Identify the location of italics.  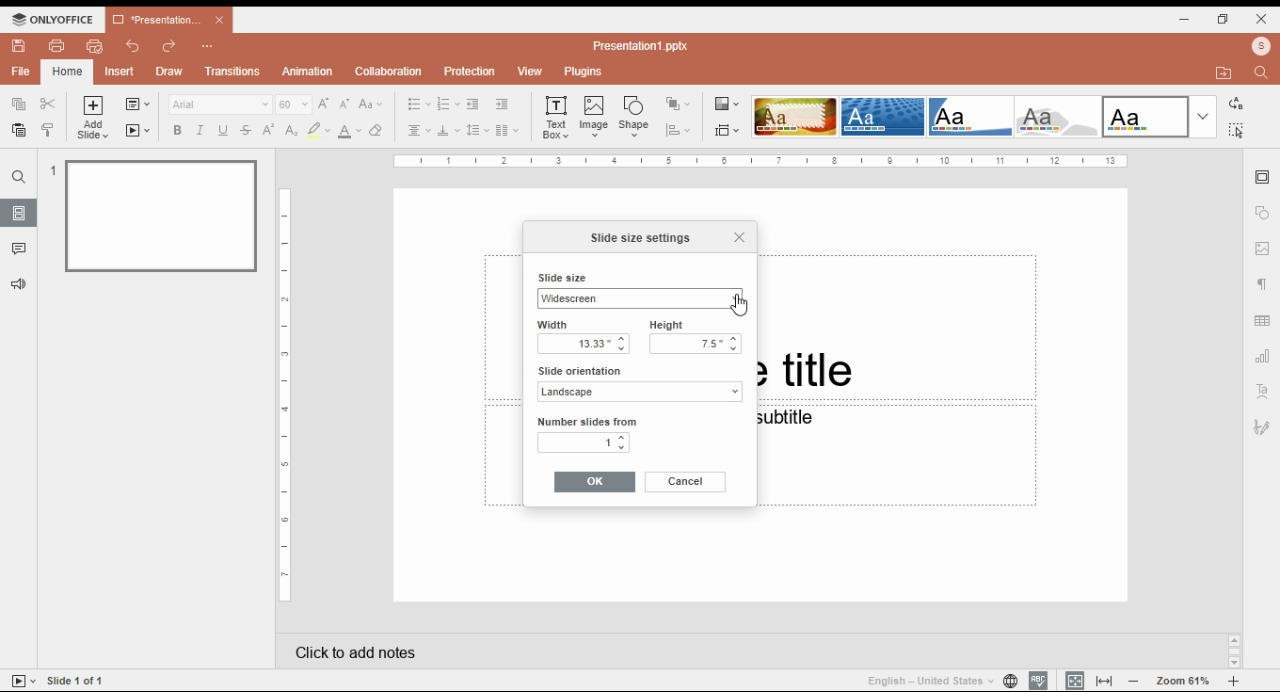
(198, 130).